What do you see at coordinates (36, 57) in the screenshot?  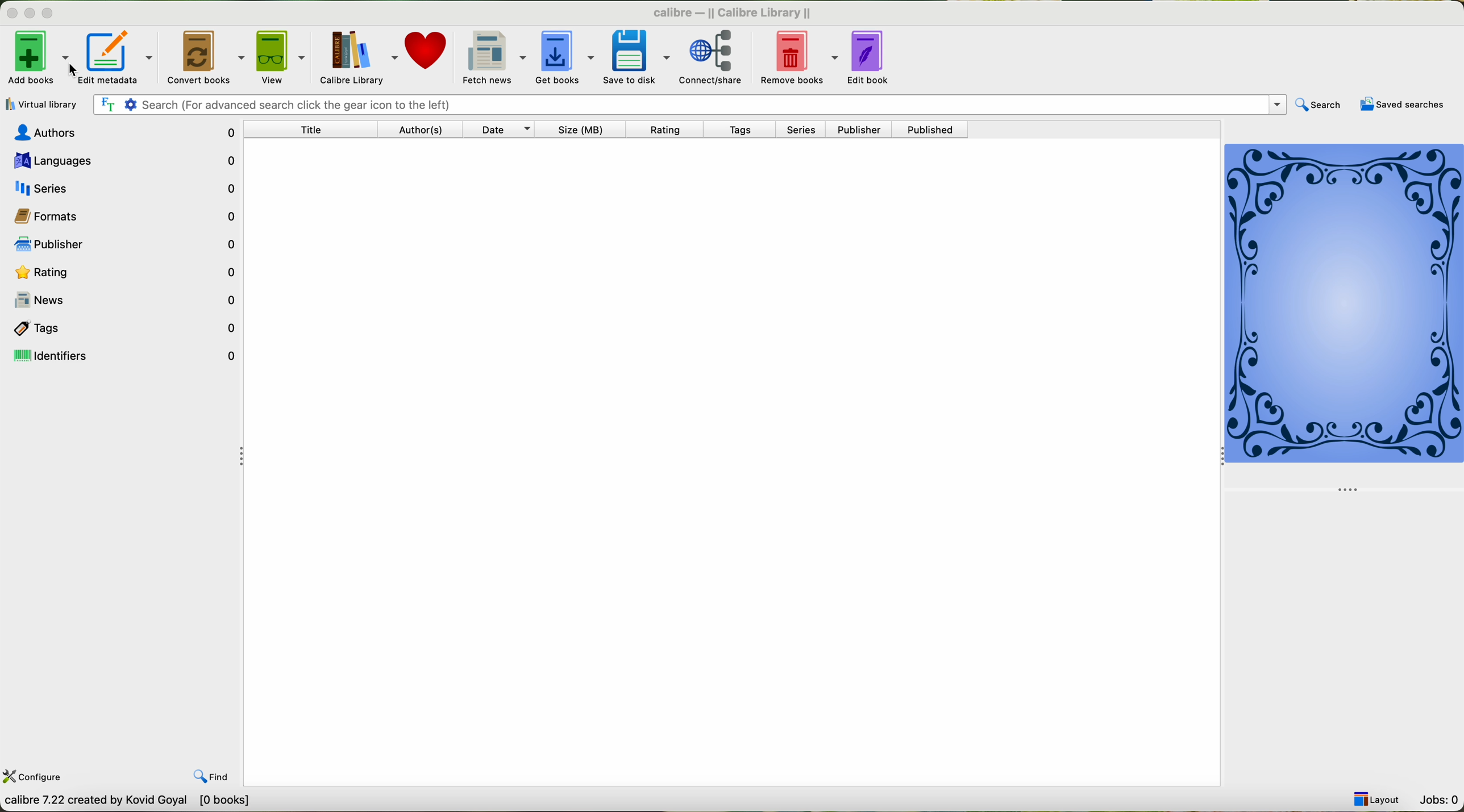 I see `add books` at bounding box center [36, 57].